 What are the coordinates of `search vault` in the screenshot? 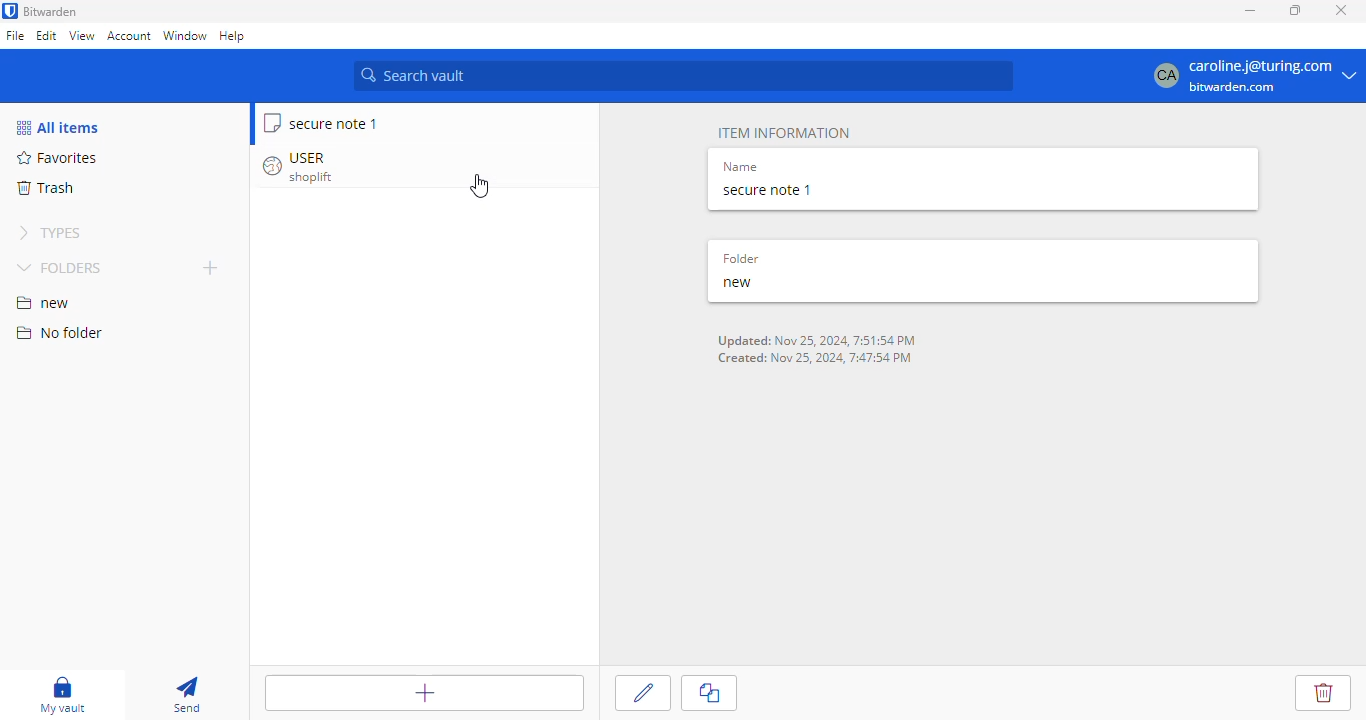 It's located at (685, 75).